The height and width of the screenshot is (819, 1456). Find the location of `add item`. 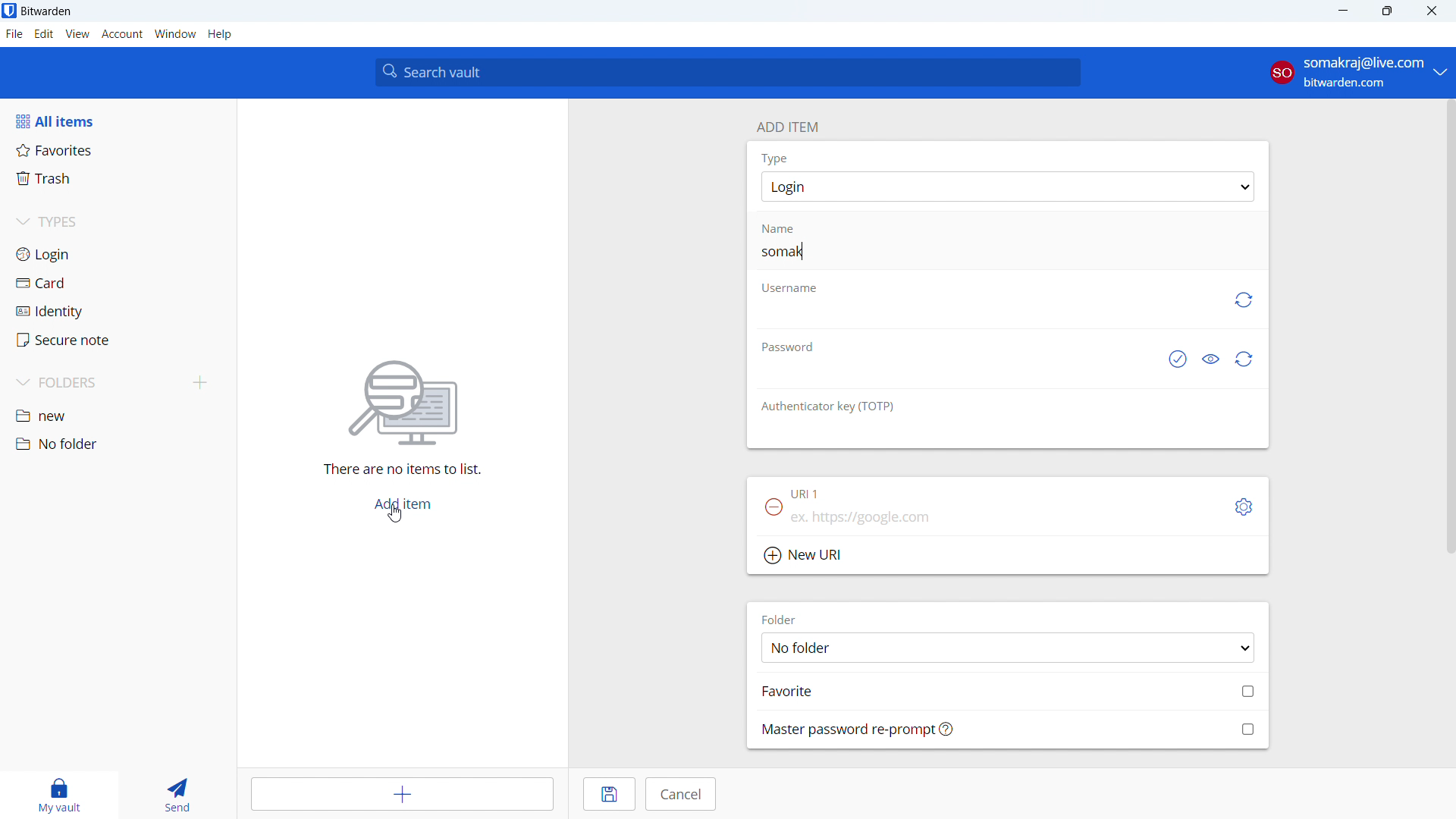

add item is located at coordinates (402, 505).